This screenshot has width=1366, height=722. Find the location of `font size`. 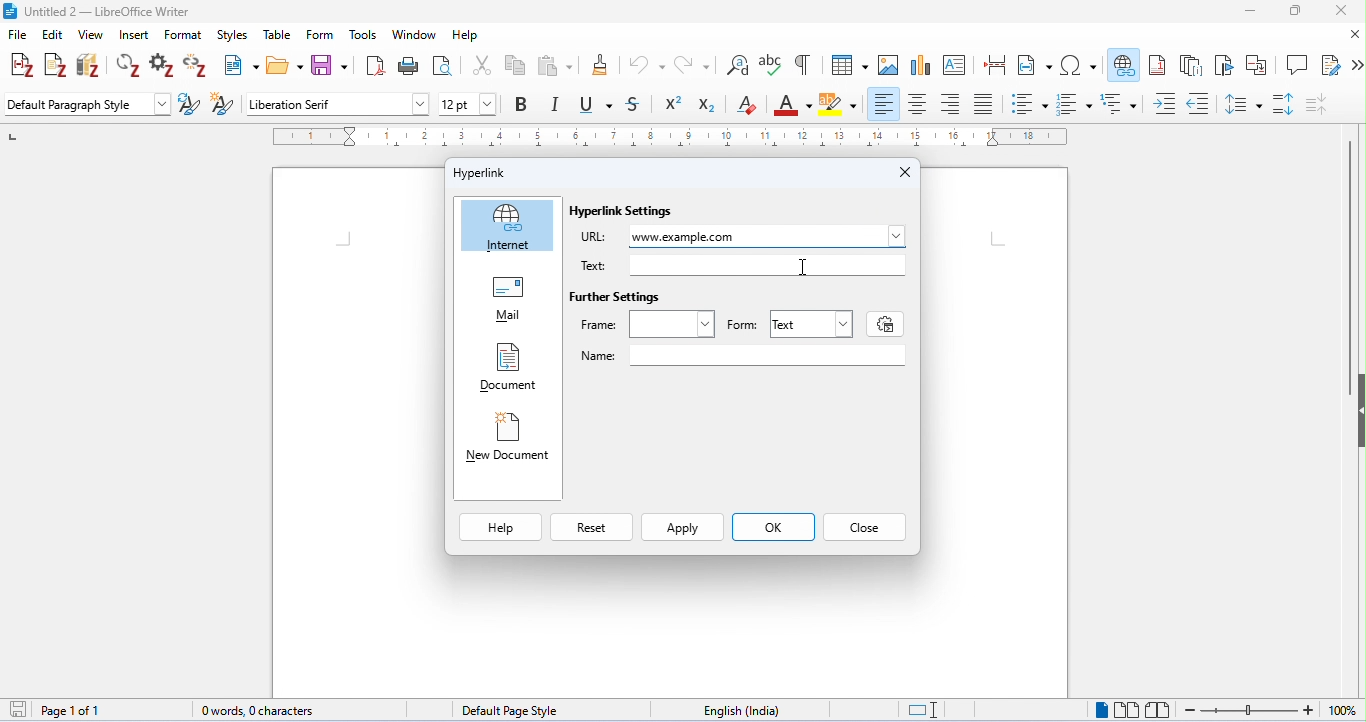

font size is located at coordinates (472, 105).